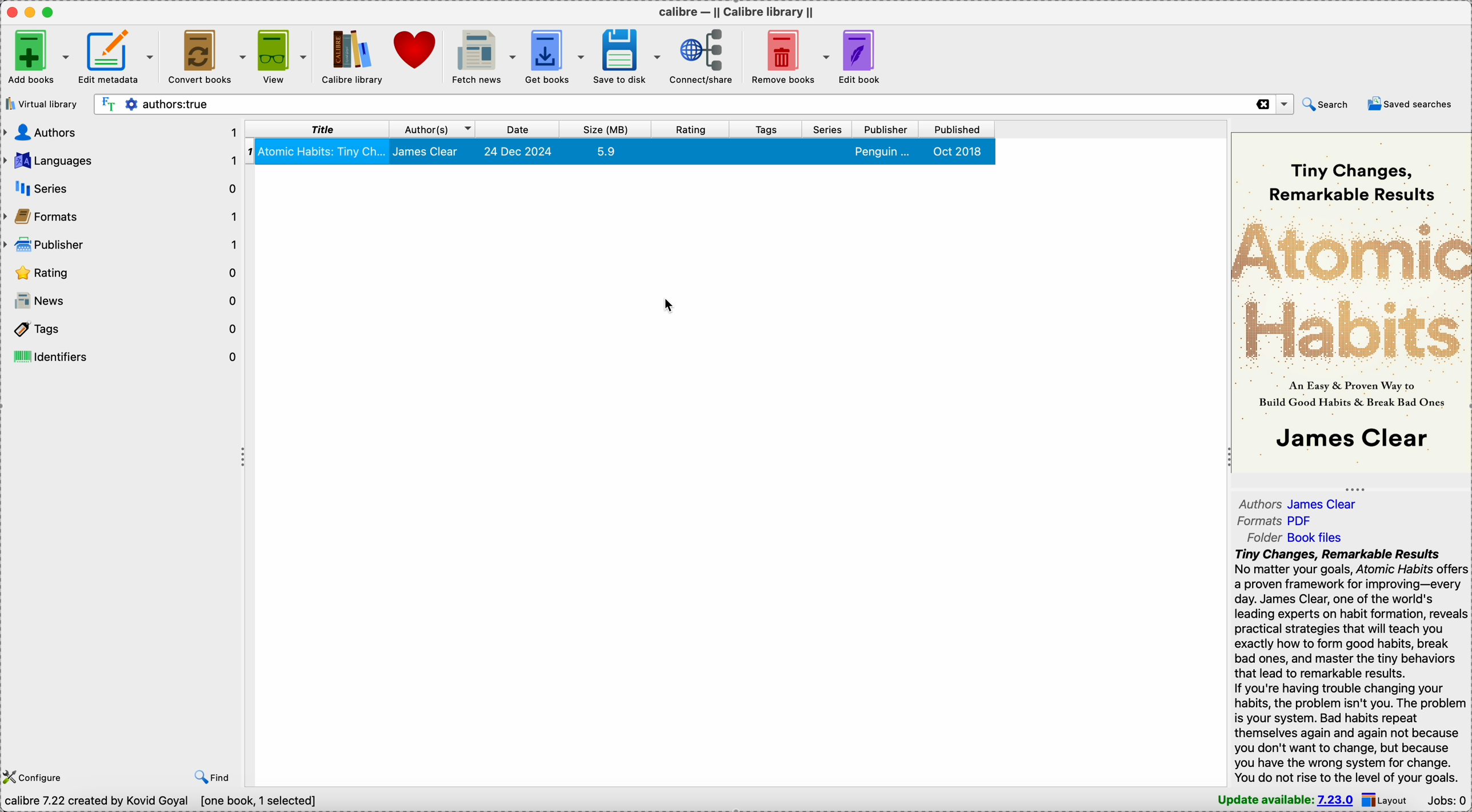 The image size is (1472, 812). Describe the element at coordinates (519, 153) in the screenshot. I see `24 Dec 2024` at that location.